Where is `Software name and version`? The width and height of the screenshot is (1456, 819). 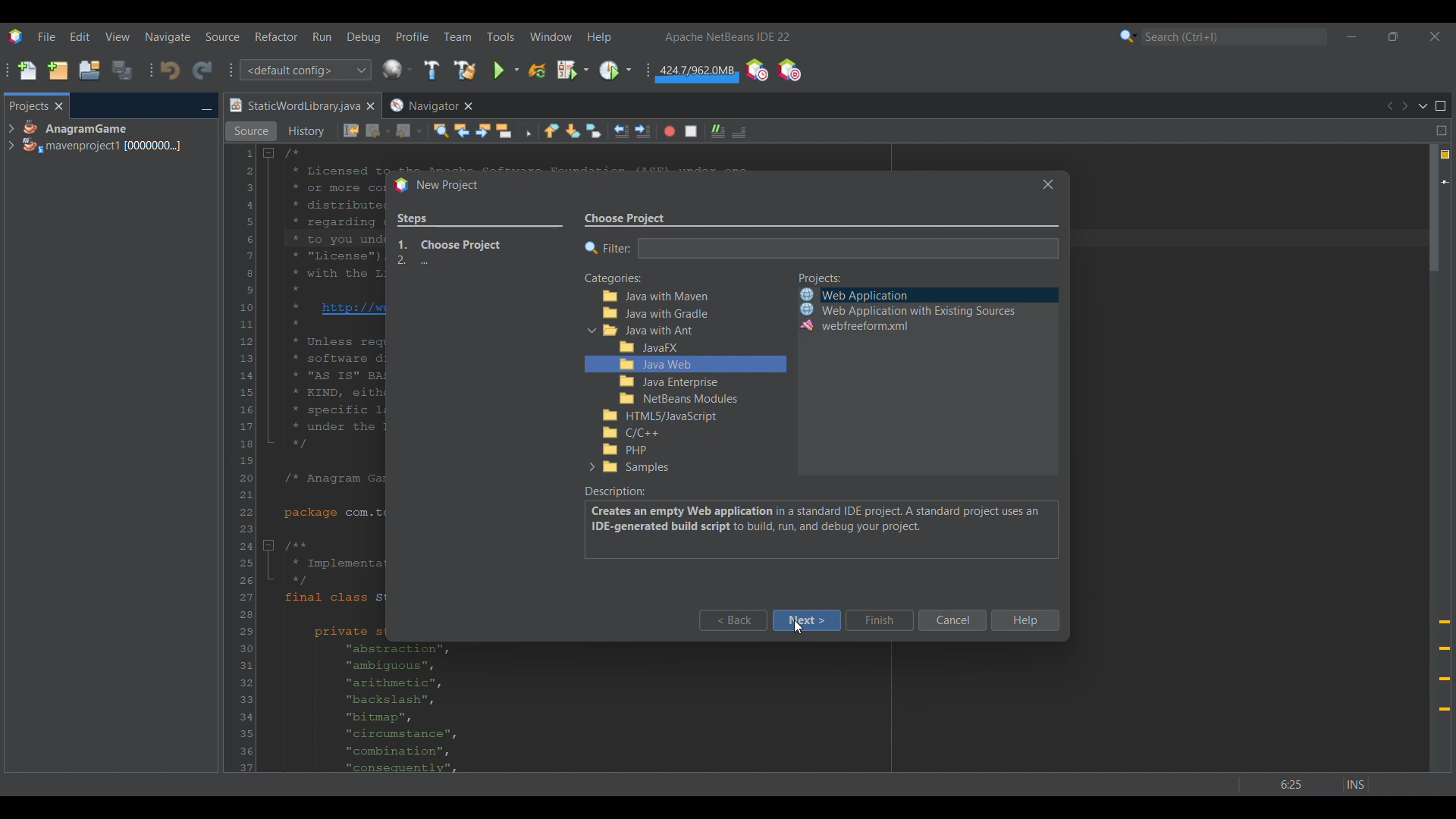
Software name and version is located at coordinates (728, 36).